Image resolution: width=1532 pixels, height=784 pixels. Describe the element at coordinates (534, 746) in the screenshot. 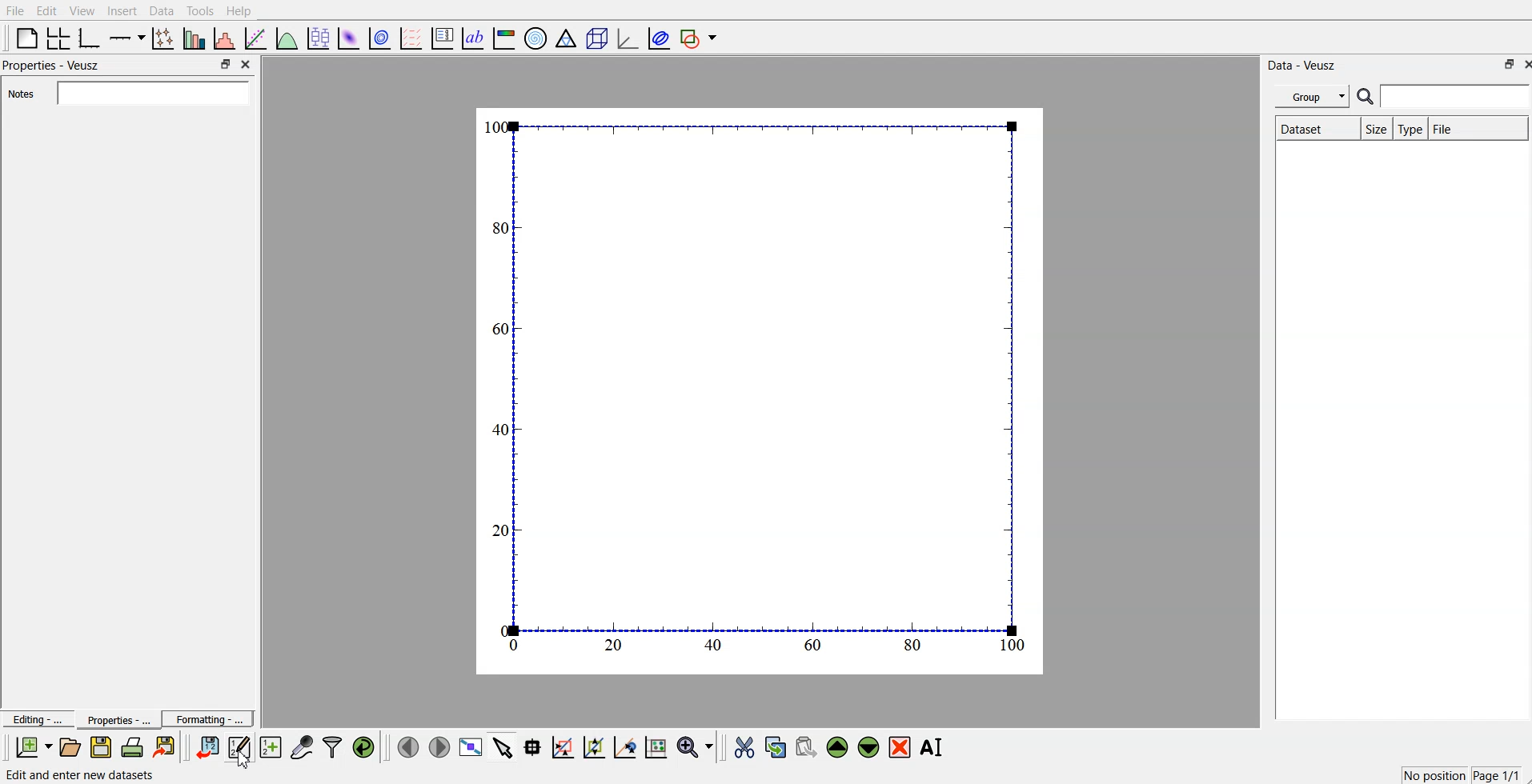

I see `read data point on the graph` at that location.